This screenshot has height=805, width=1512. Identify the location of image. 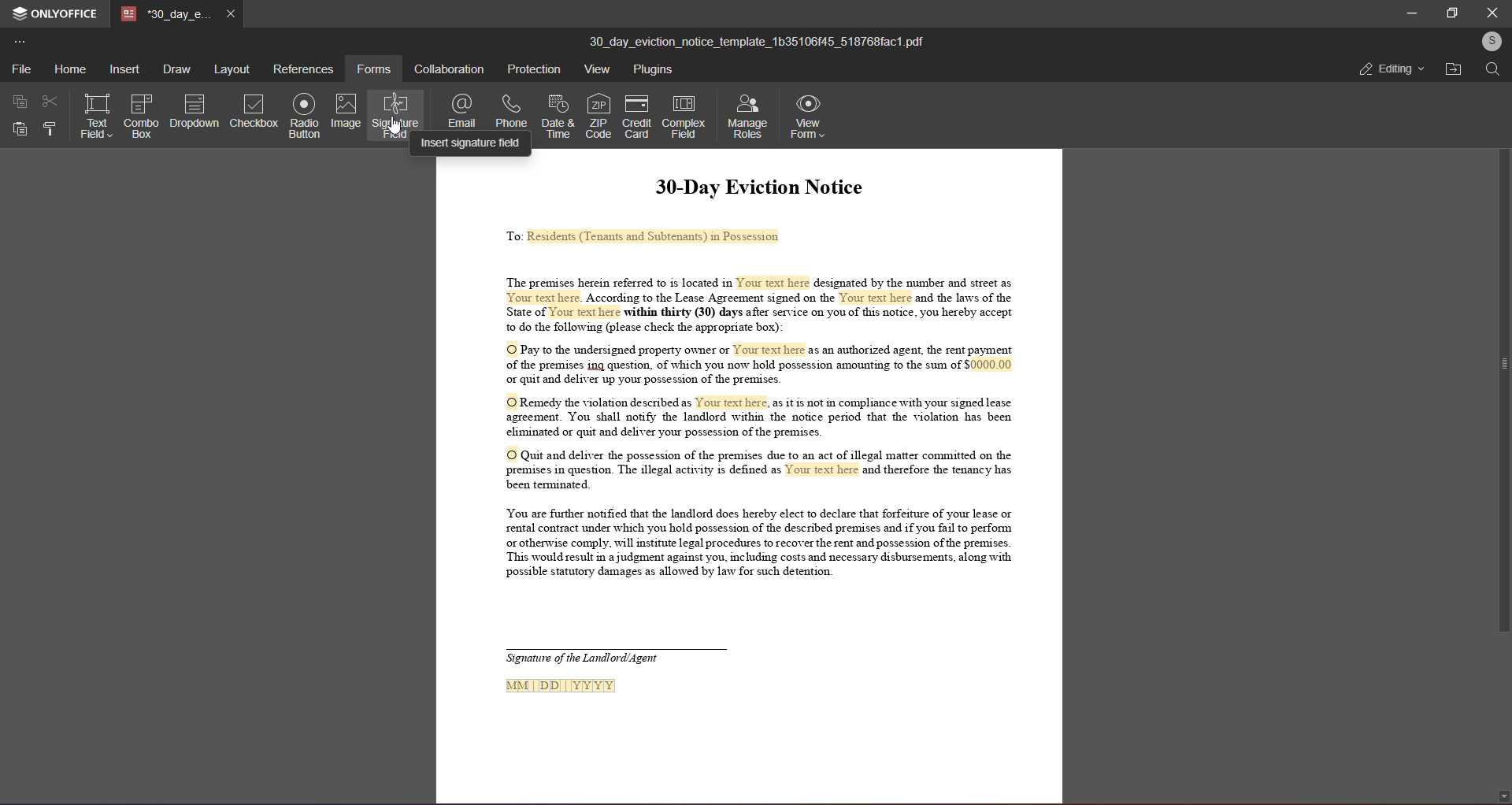
(347, 110).